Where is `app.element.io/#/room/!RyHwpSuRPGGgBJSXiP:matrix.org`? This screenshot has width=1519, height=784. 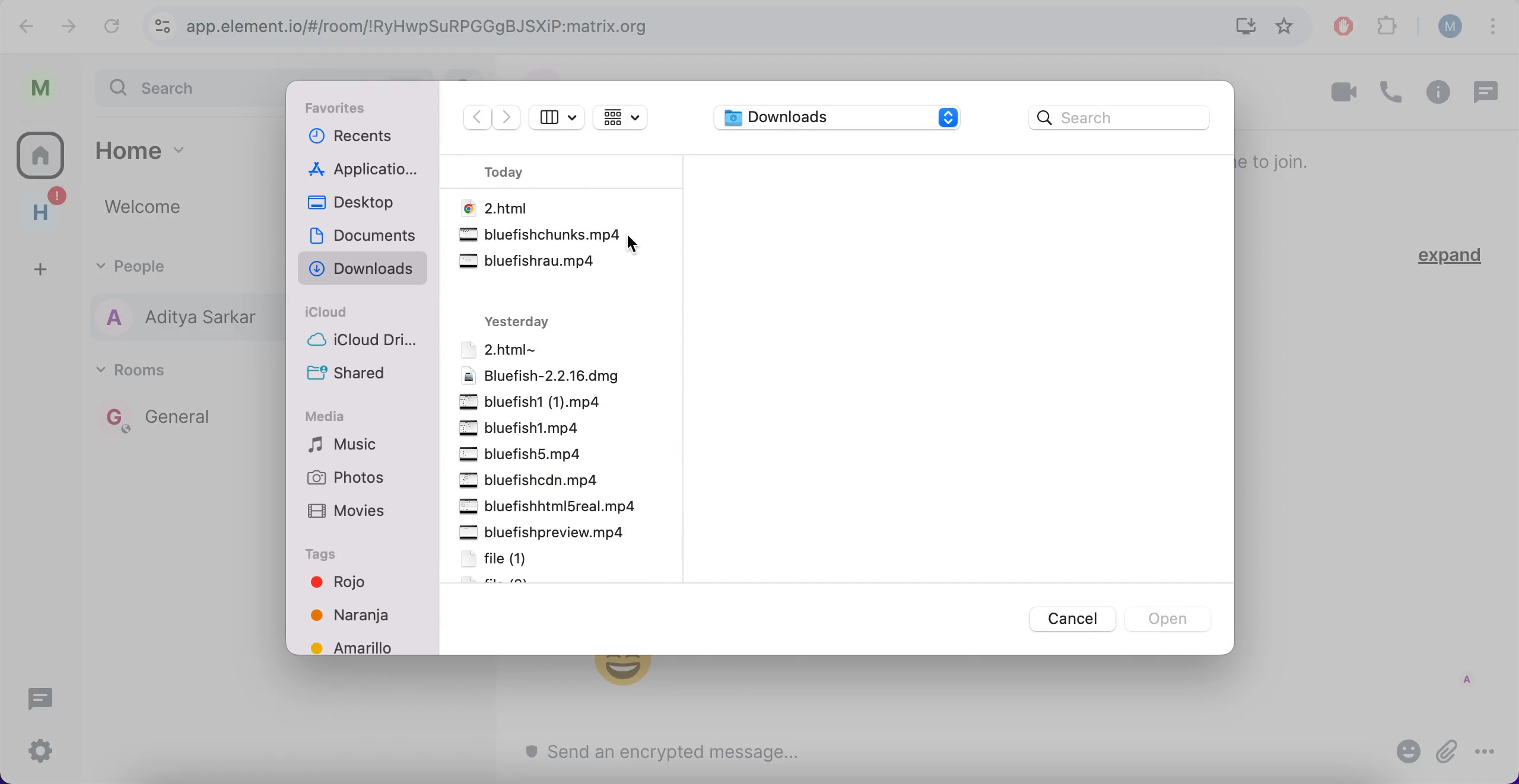 app.element.io/#/room/!RyHwpSuRPGGgBJSXiP:matrix.org is located at coordinates (434, 28).